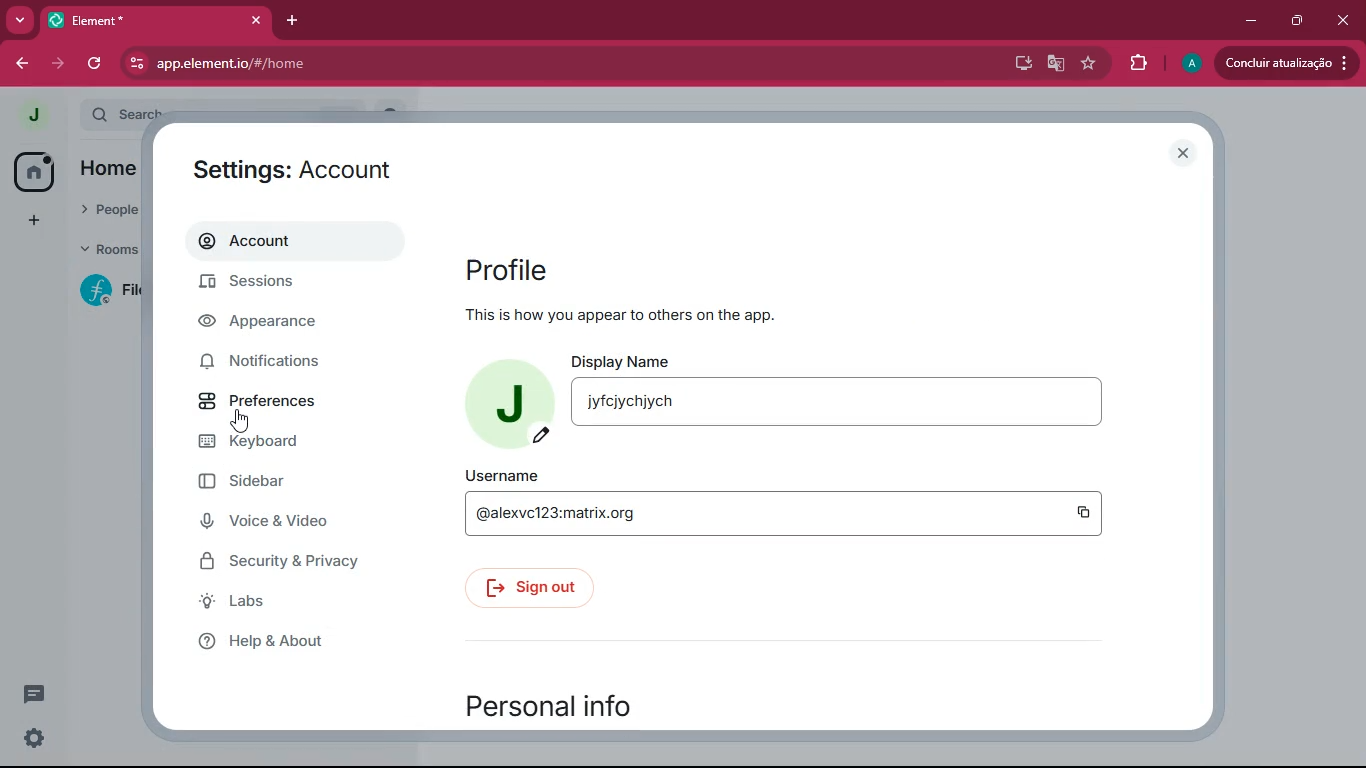 The height and width of the screenshot is (768, 1366). Describe the element at coordinates (131, 20) in the screenshot. I see `tab` at that location.